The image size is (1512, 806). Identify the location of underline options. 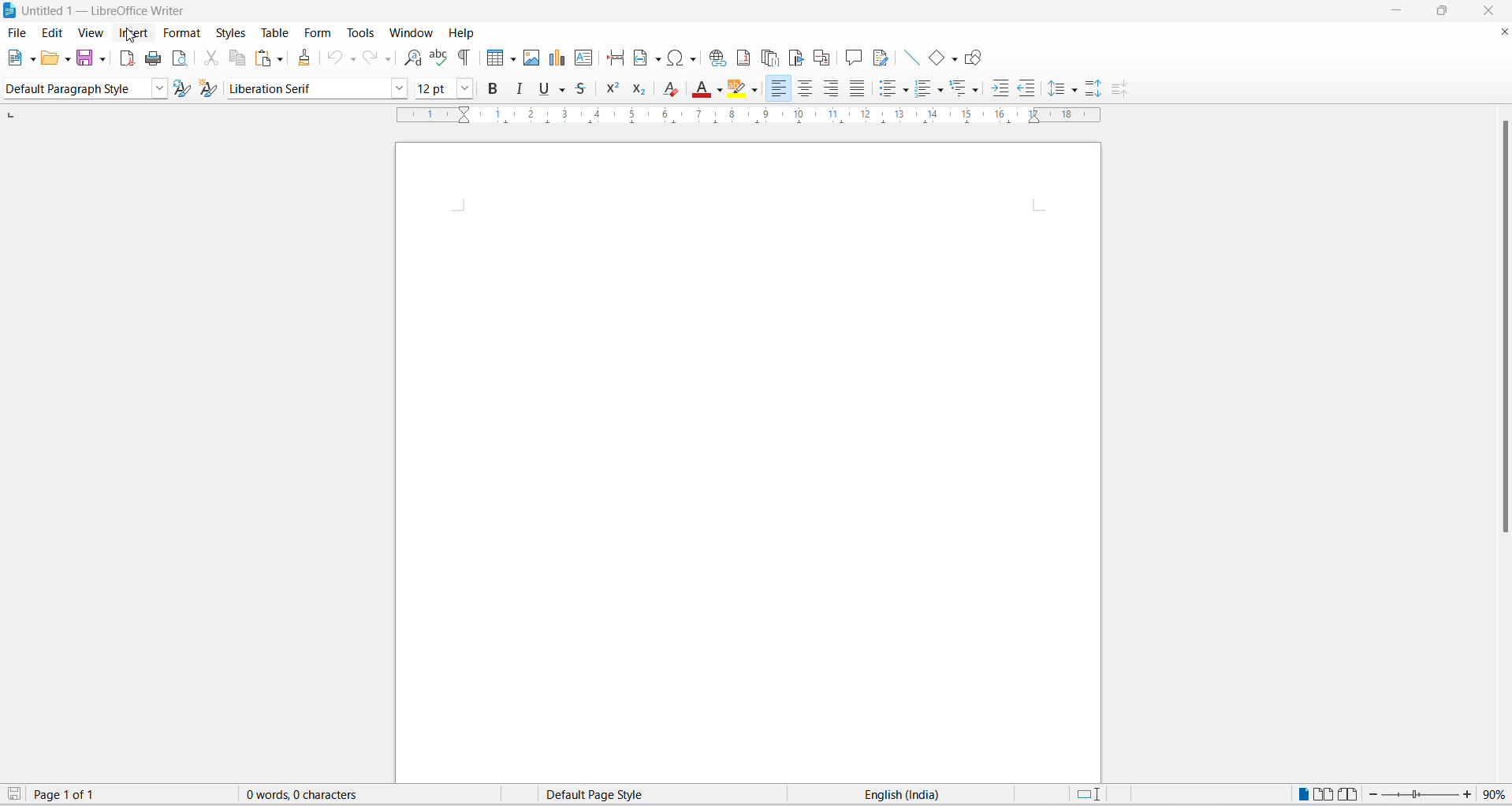
(566, 90).